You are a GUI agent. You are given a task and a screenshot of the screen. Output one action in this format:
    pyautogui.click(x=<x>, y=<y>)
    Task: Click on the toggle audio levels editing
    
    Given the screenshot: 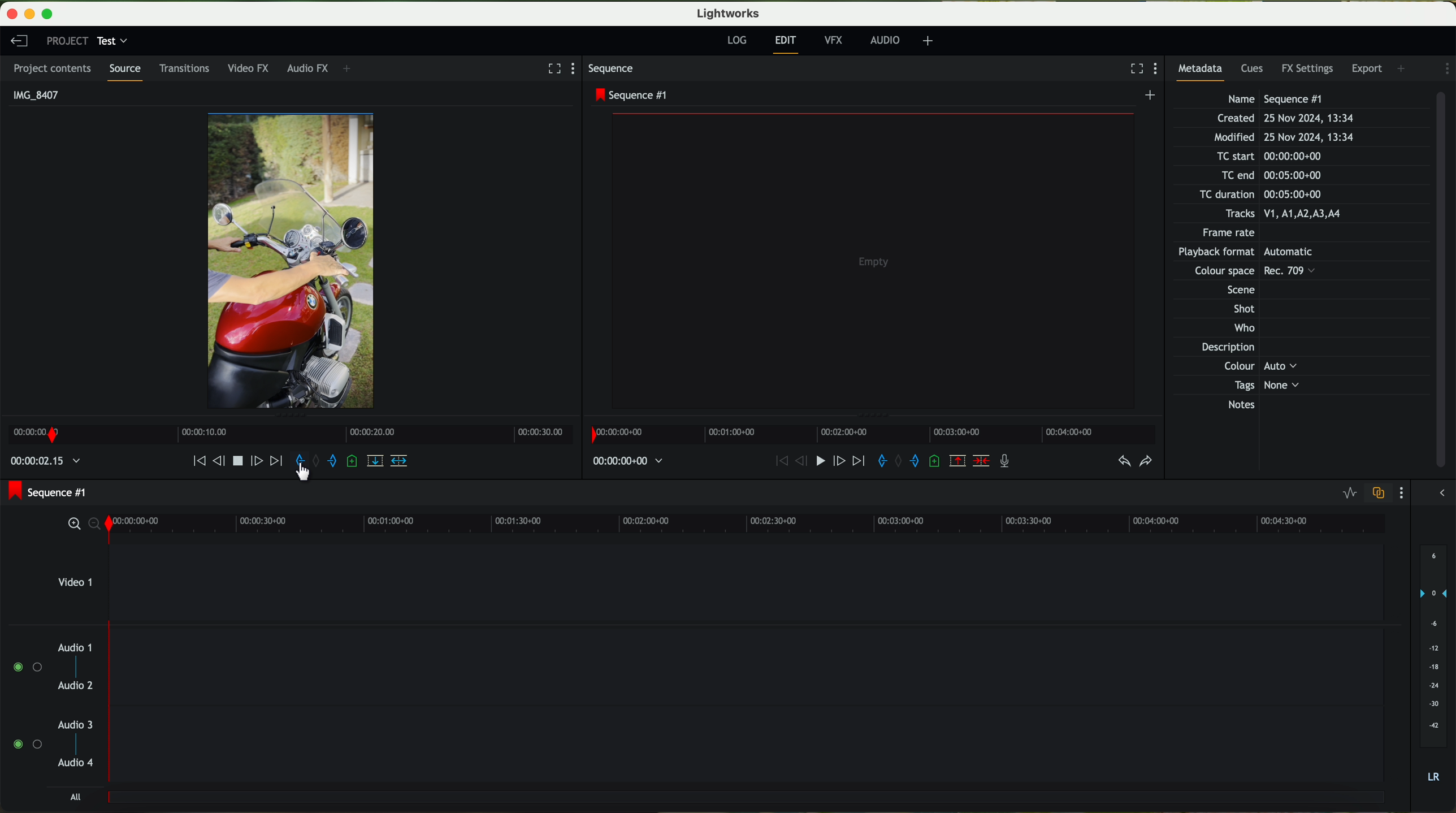 What is the action you would take?
    pyautogui.click(x=1350, y=494)
    